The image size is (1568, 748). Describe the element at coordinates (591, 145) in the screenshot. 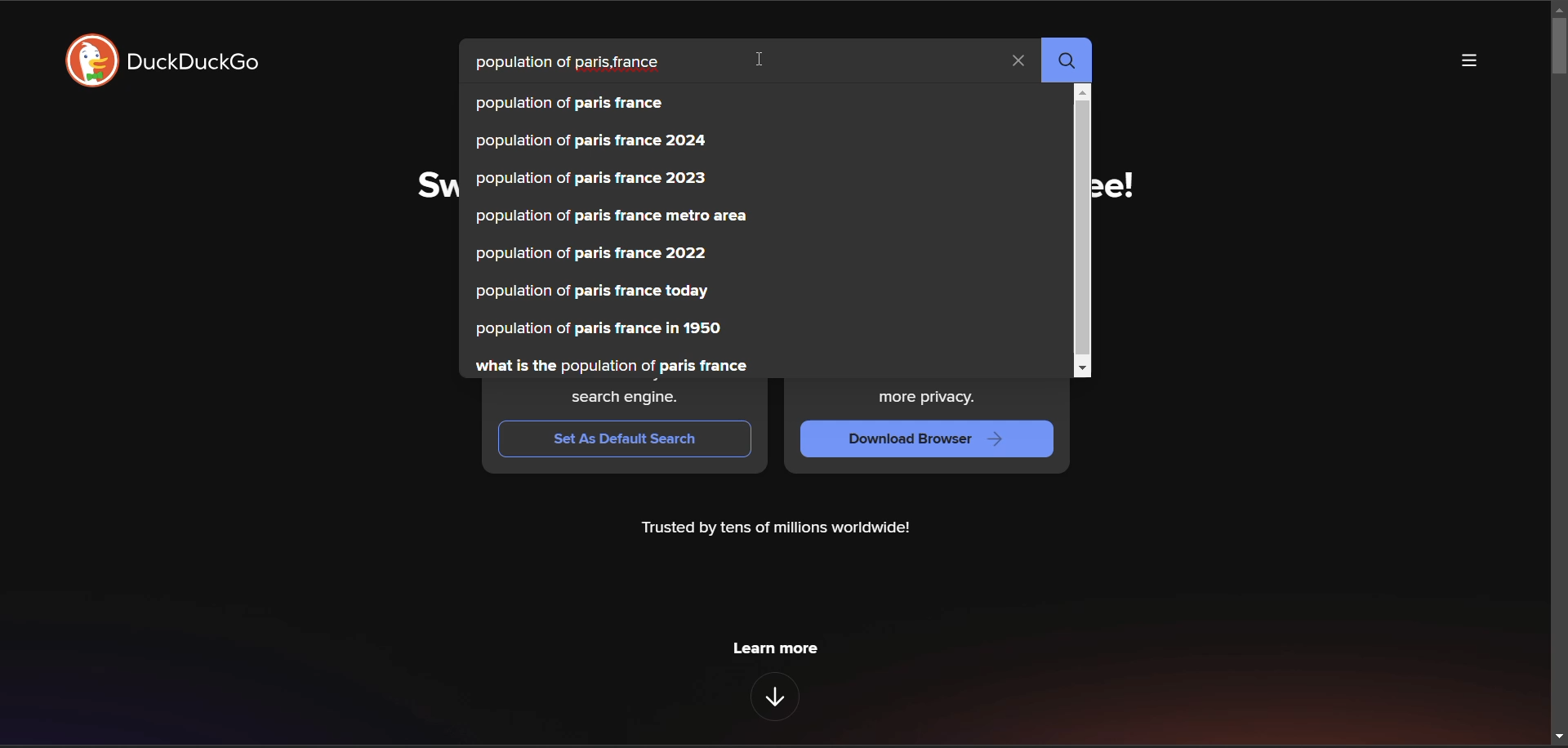

I see `population of paris france 2024` at that location.